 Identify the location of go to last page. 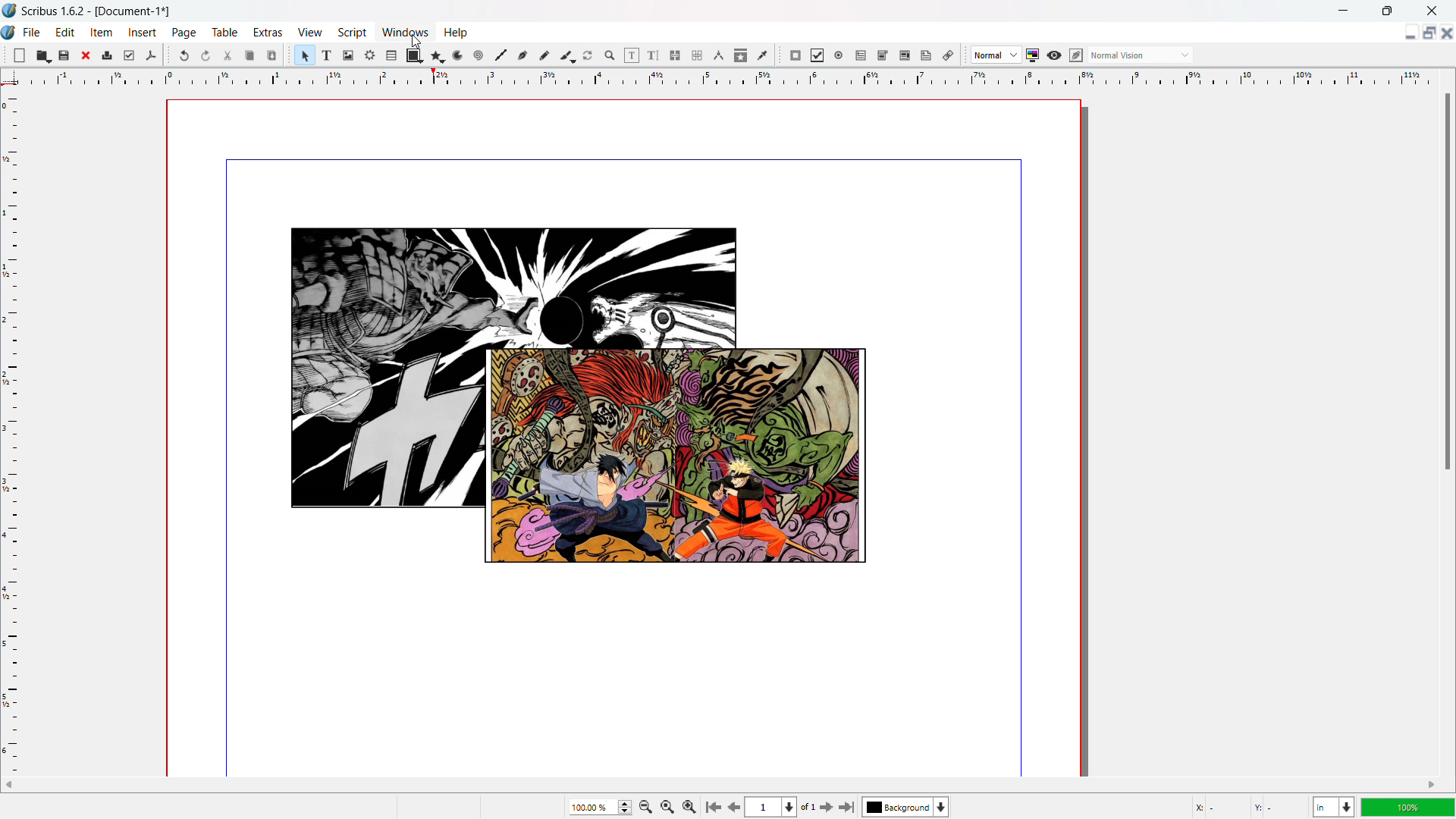
(848, 807).